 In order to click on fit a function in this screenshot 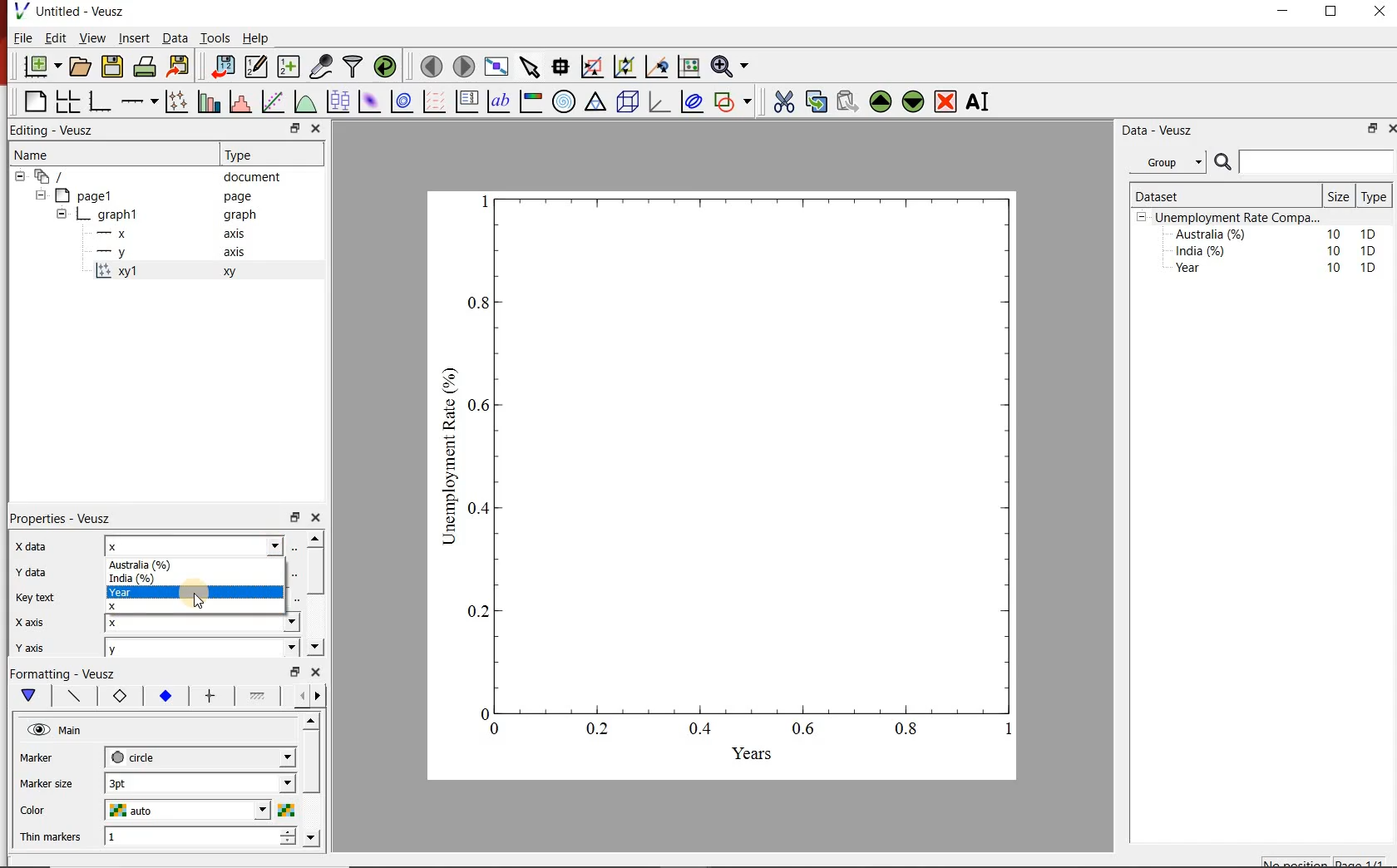, I will do `click(272, 101)`.